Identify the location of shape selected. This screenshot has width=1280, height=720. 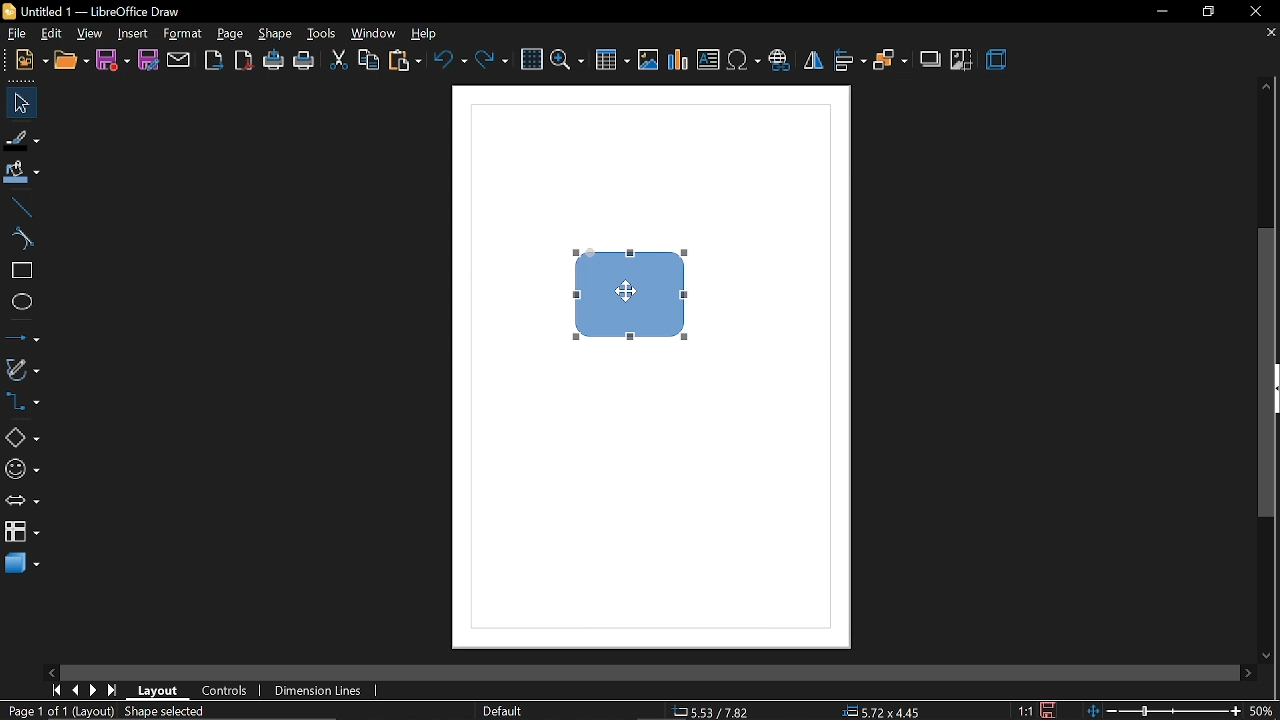
(168, 711).